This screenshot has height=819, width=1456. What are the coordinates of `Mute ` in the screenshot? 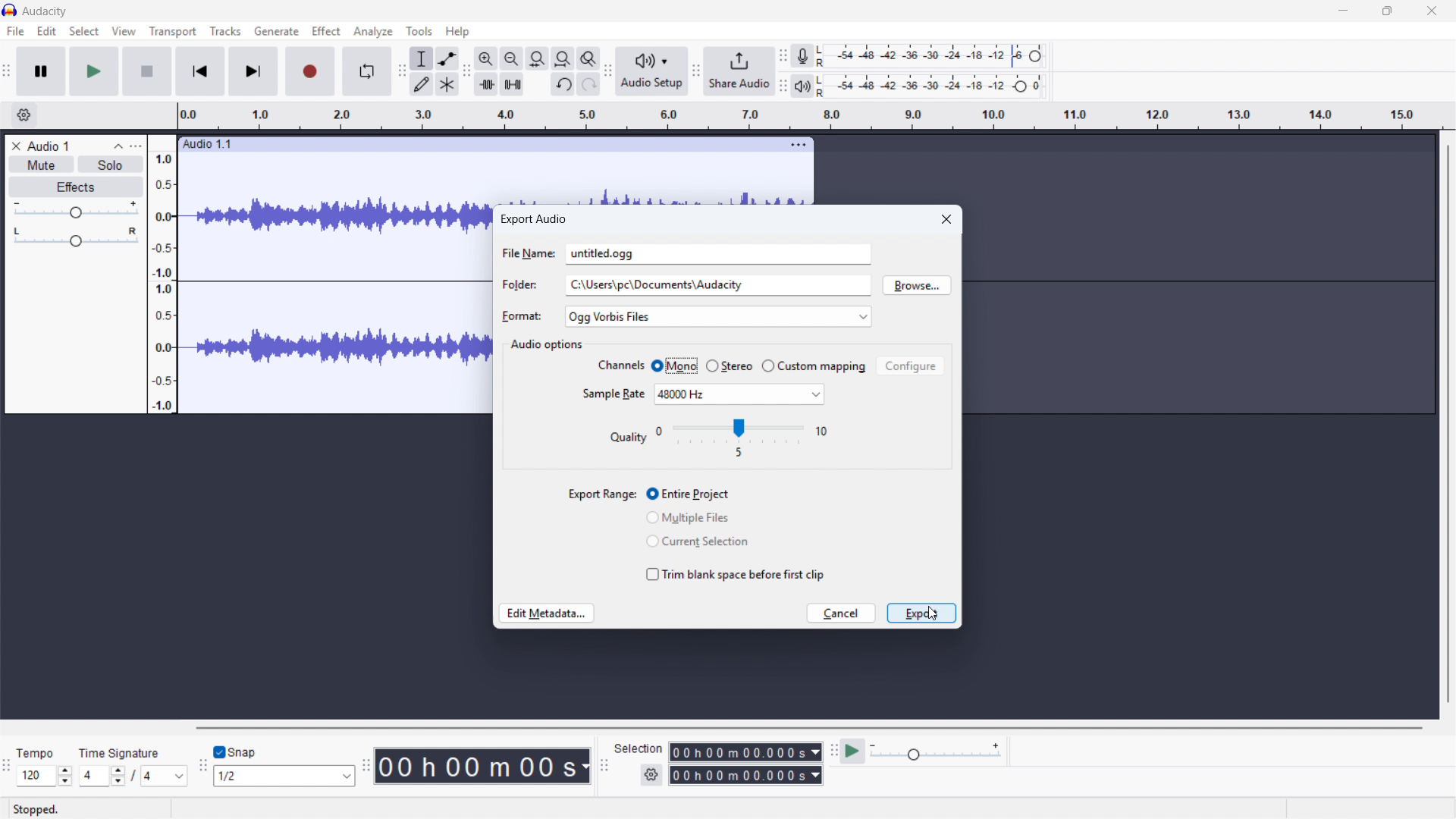 It's located at (40, 164).